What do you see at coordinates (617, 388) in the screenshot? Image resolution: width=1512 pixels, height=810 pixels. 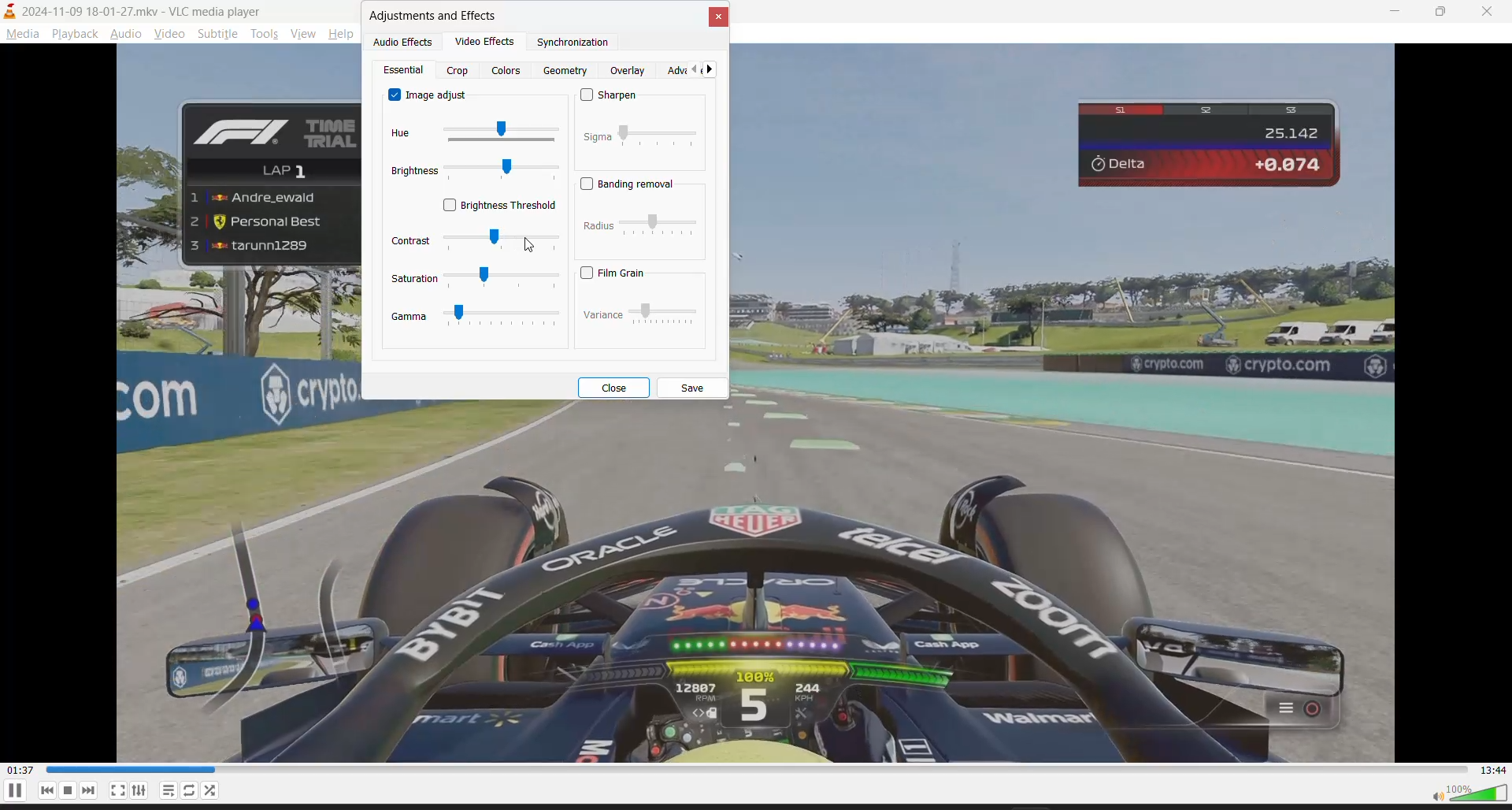 I see `close` at bounding box center [617, 388].